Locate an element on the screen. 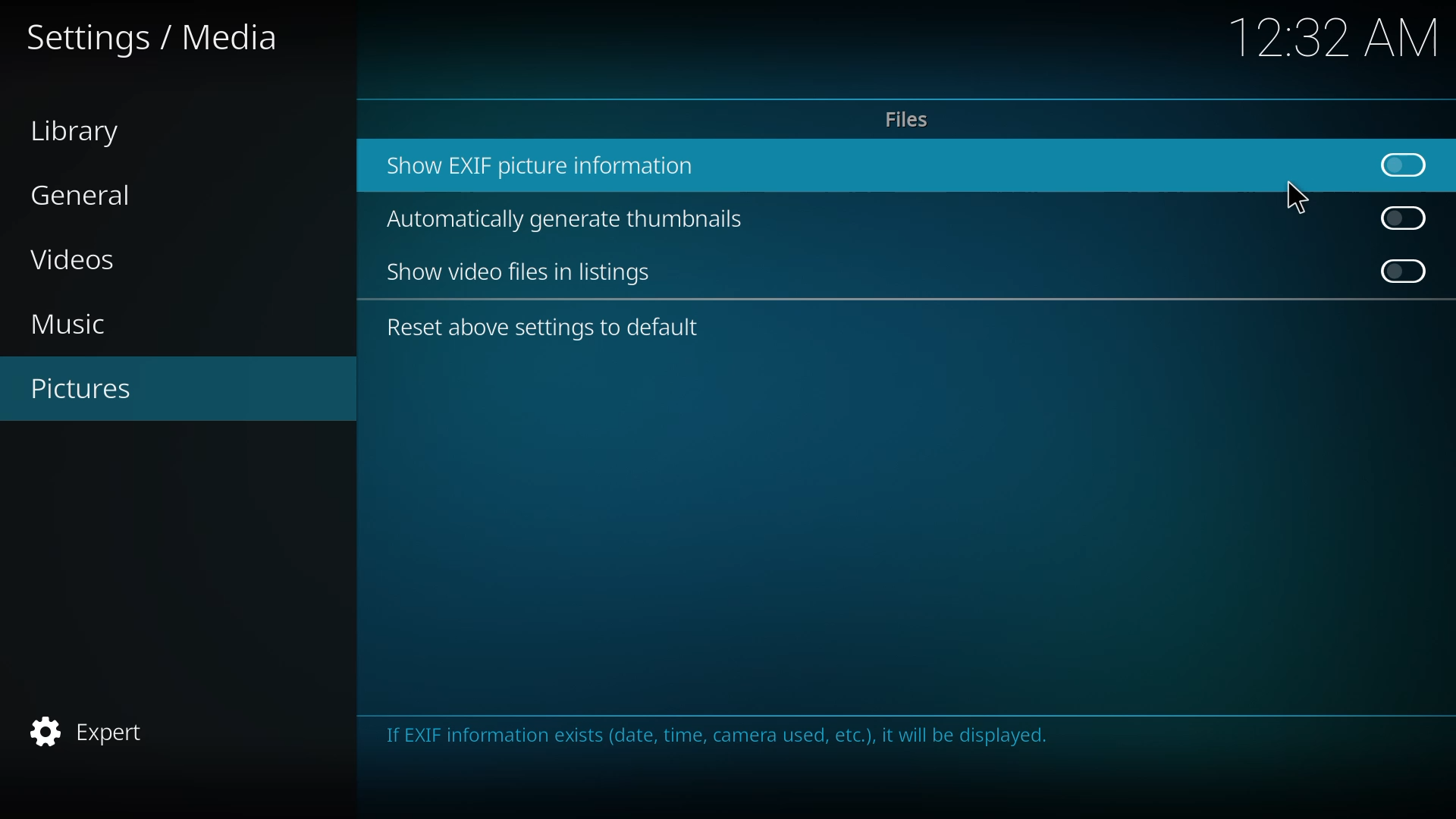 Image resolution: width=1456 pixels, height=819 pixels. cursor is located at coordinates (1297, 196).